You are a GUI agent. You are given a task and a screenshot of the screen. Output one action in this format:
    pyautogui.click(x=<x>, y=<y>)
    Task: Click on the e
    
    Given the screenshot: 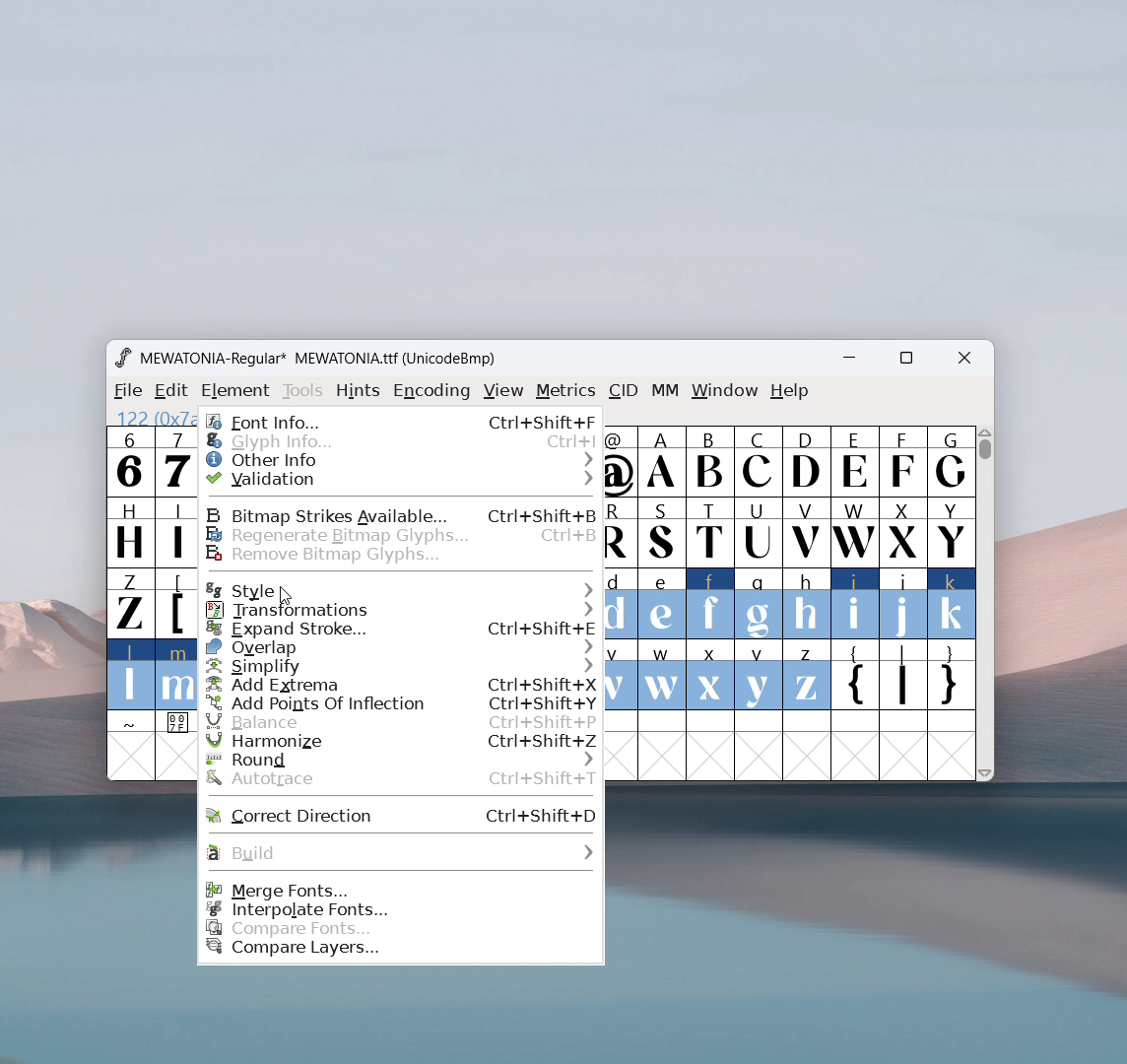 What is the action you would take?
    pyautogui.click(x=662, y=605)
    